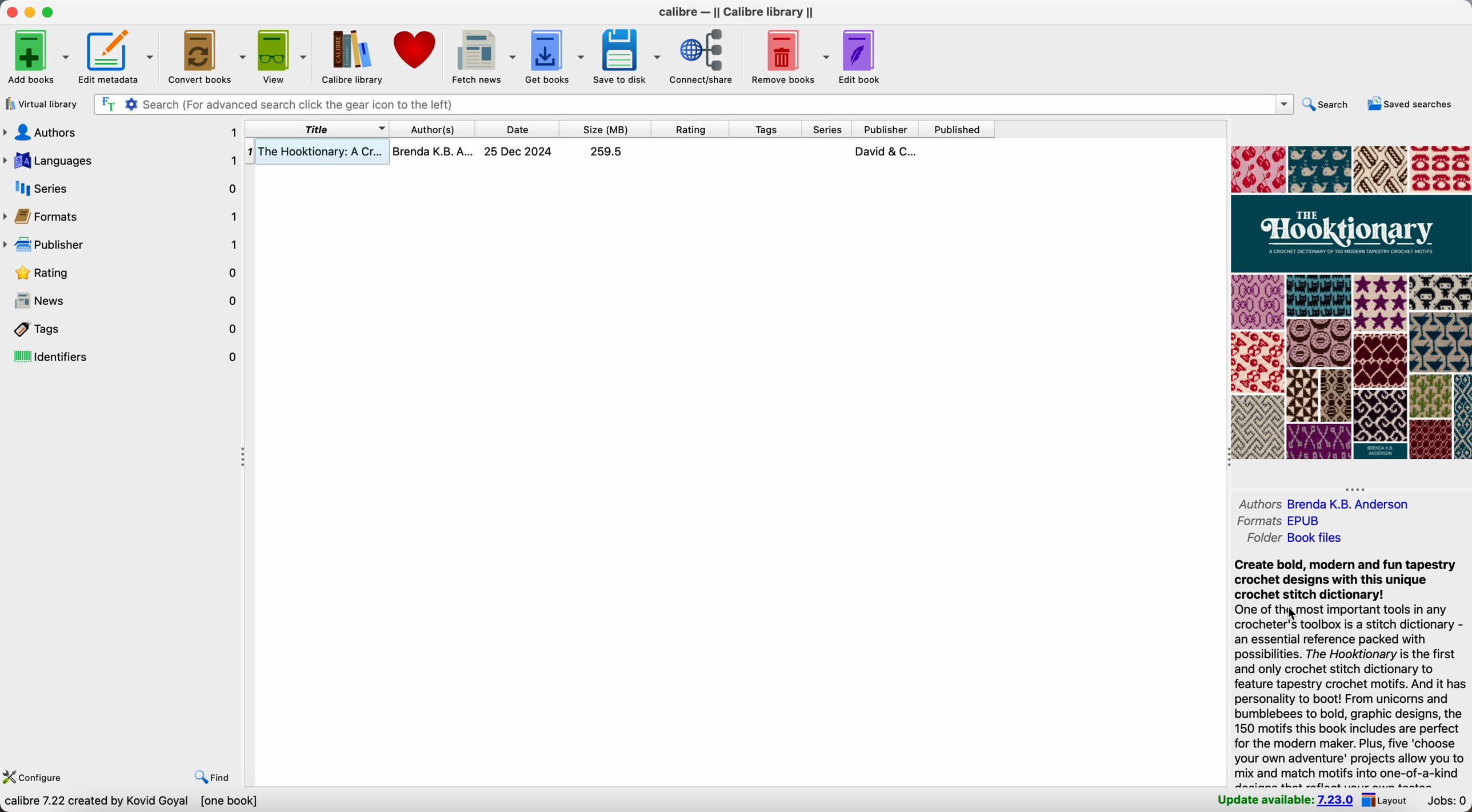  What do you see at coordinates (431, 129) in the screenshot?
I see `author(s)` at bounding box center [431, 129].